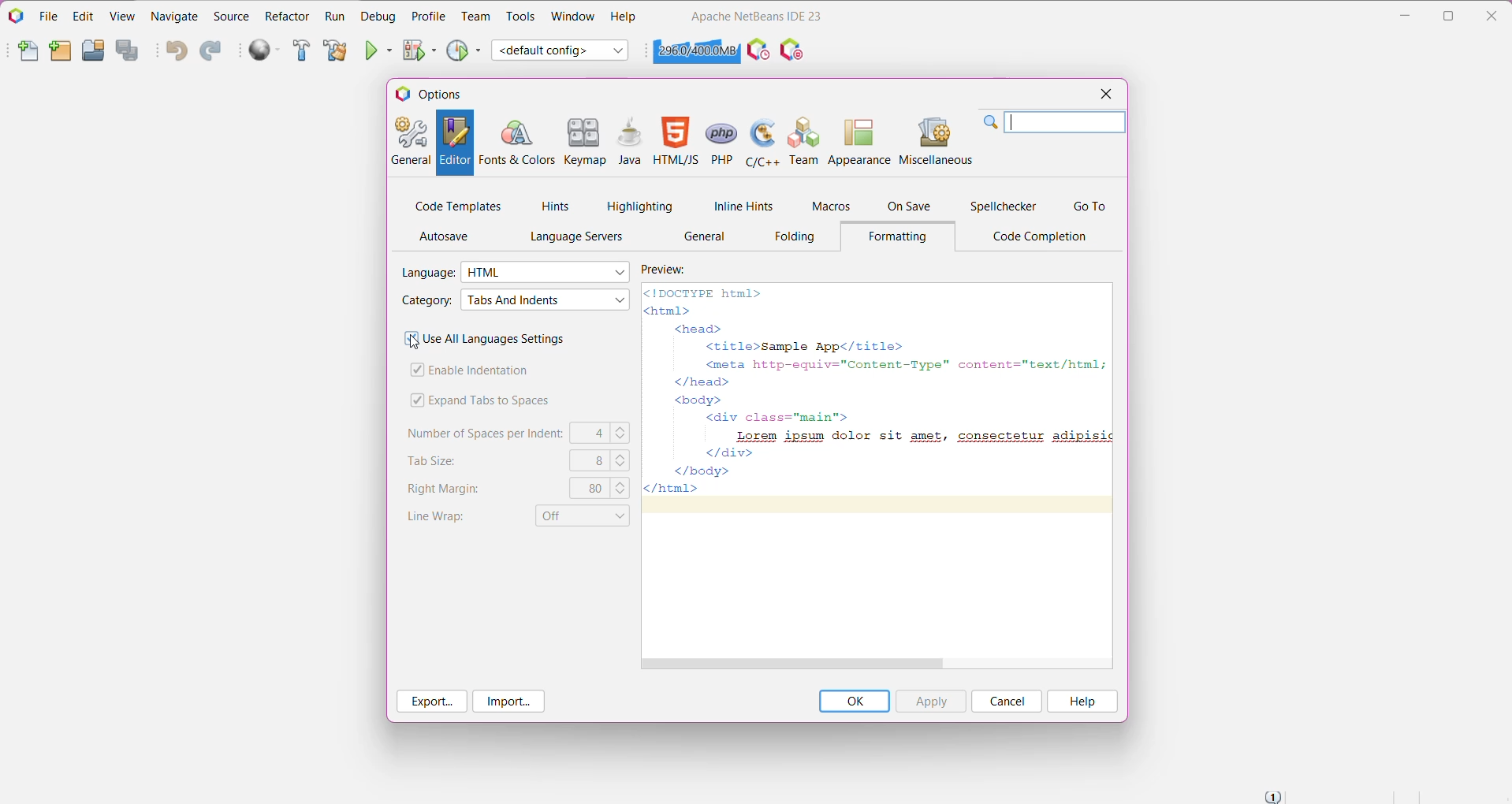 This screenshot has height=804, width=1512. What do you see at coordinates (433, 702) in the screenshot?
I see `Export` at bounding box center [433, 702].